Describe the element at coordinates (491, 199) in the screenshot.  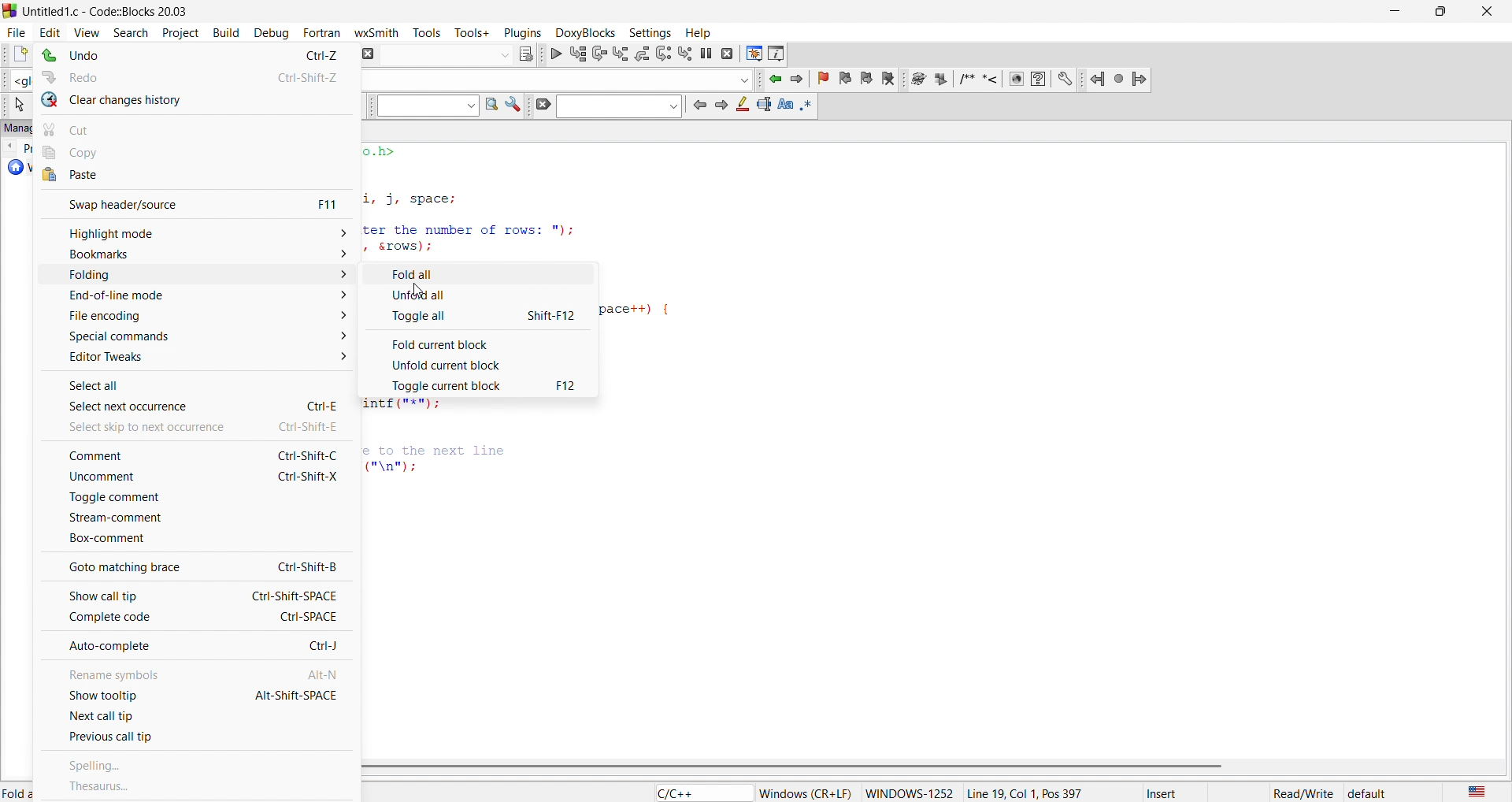
I see `code edito` at that location.